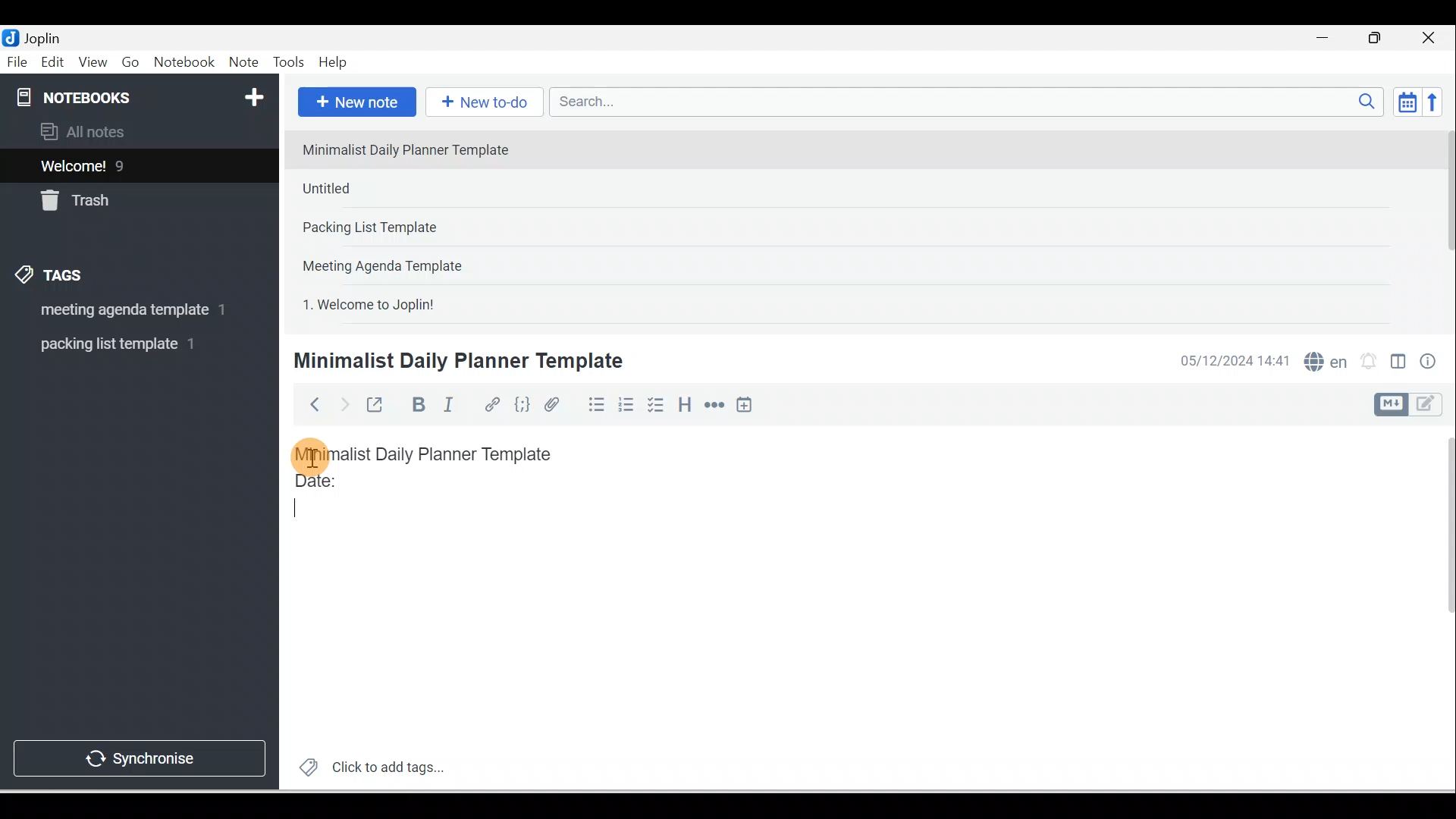 The image size is (1456, 819). What do you see at coordinates (1414, 405) in the screenshot?
I see `Toggle editor layout` at bounding box center [1414, 405].